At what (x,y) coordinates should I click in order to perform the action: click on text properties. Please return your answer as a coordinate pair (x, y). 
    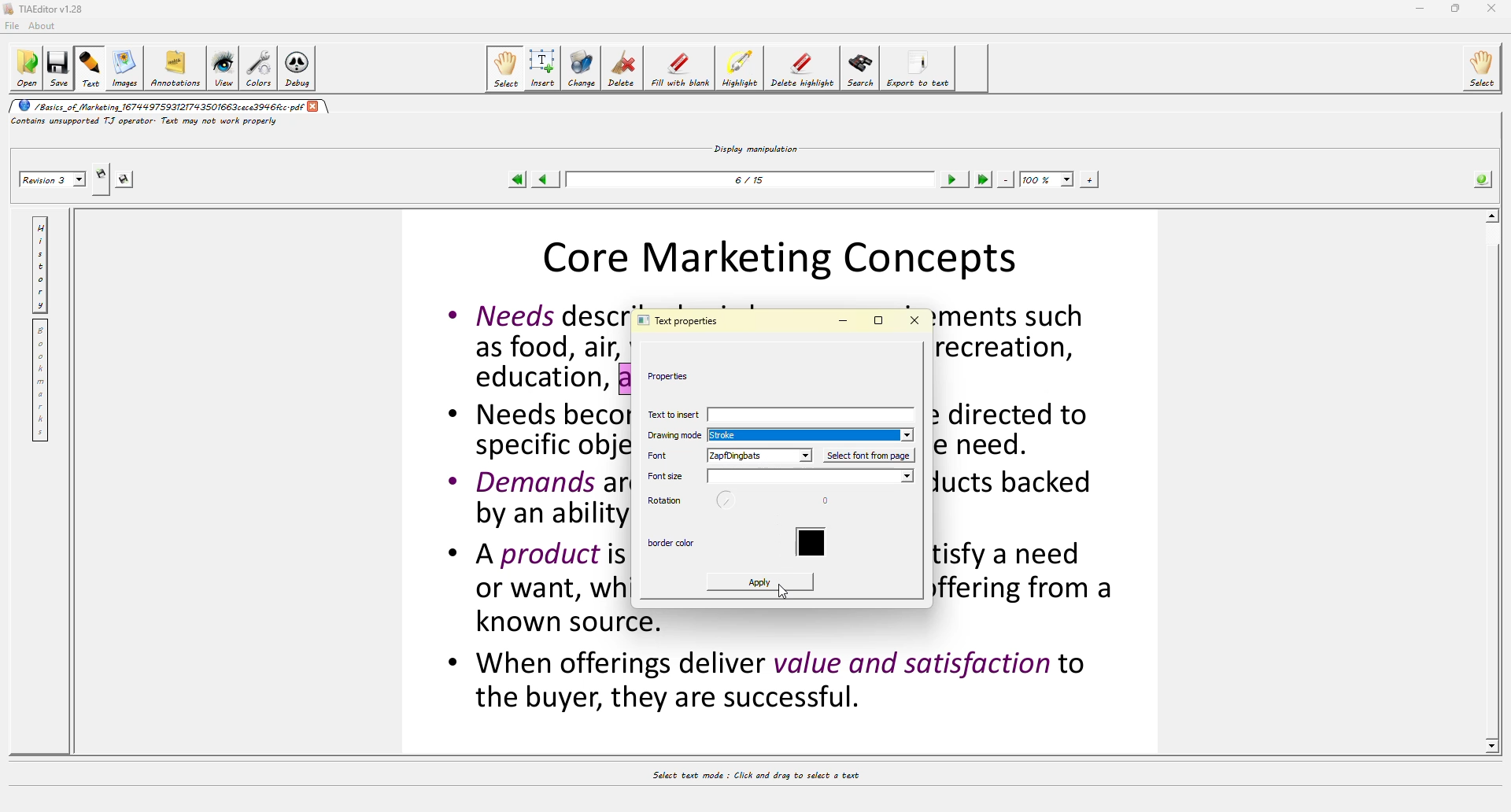
    Looking at the image, I should click on (683, 319).